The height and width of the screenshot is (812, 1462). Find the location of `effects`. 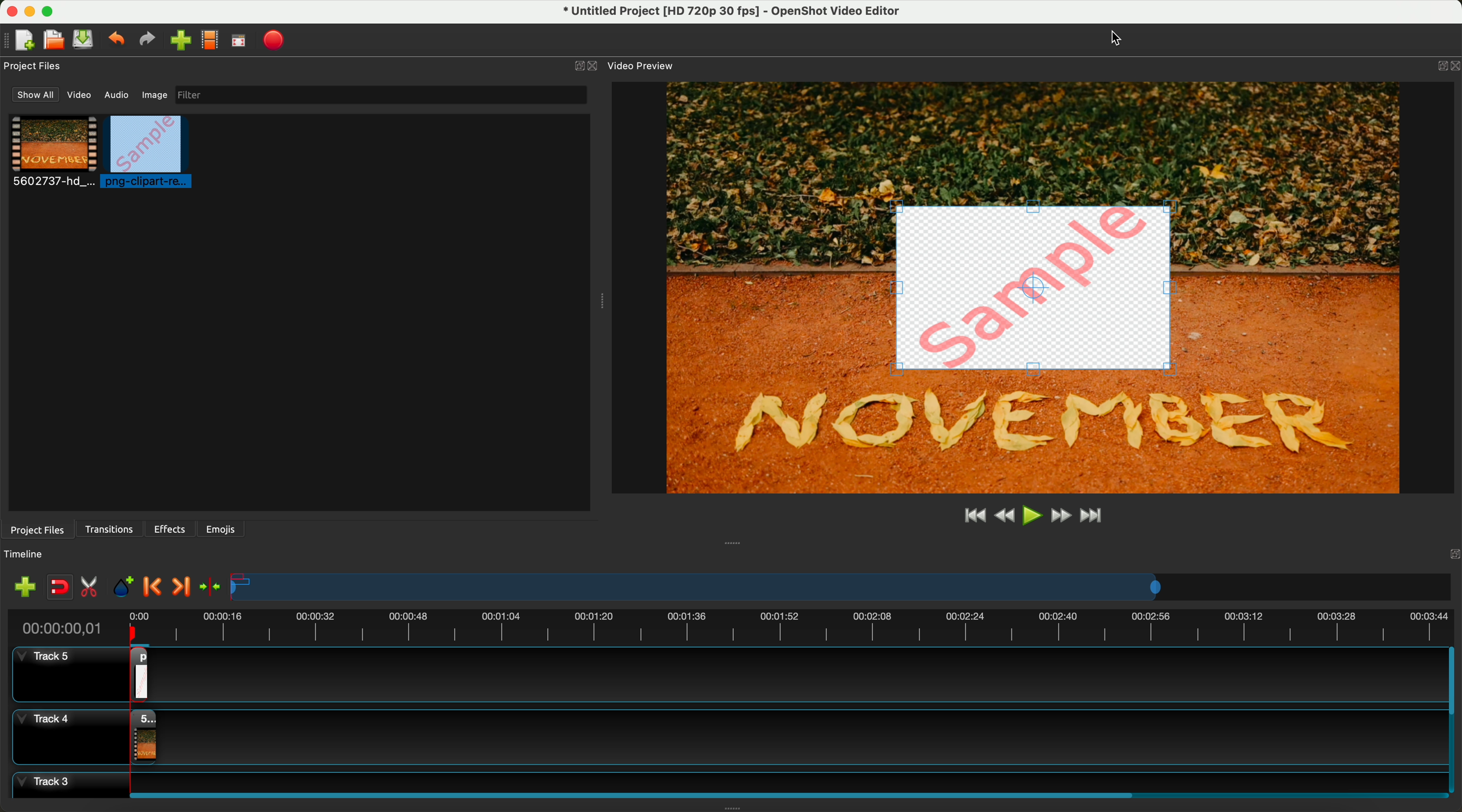

effects is located at coordinates (171, 529).